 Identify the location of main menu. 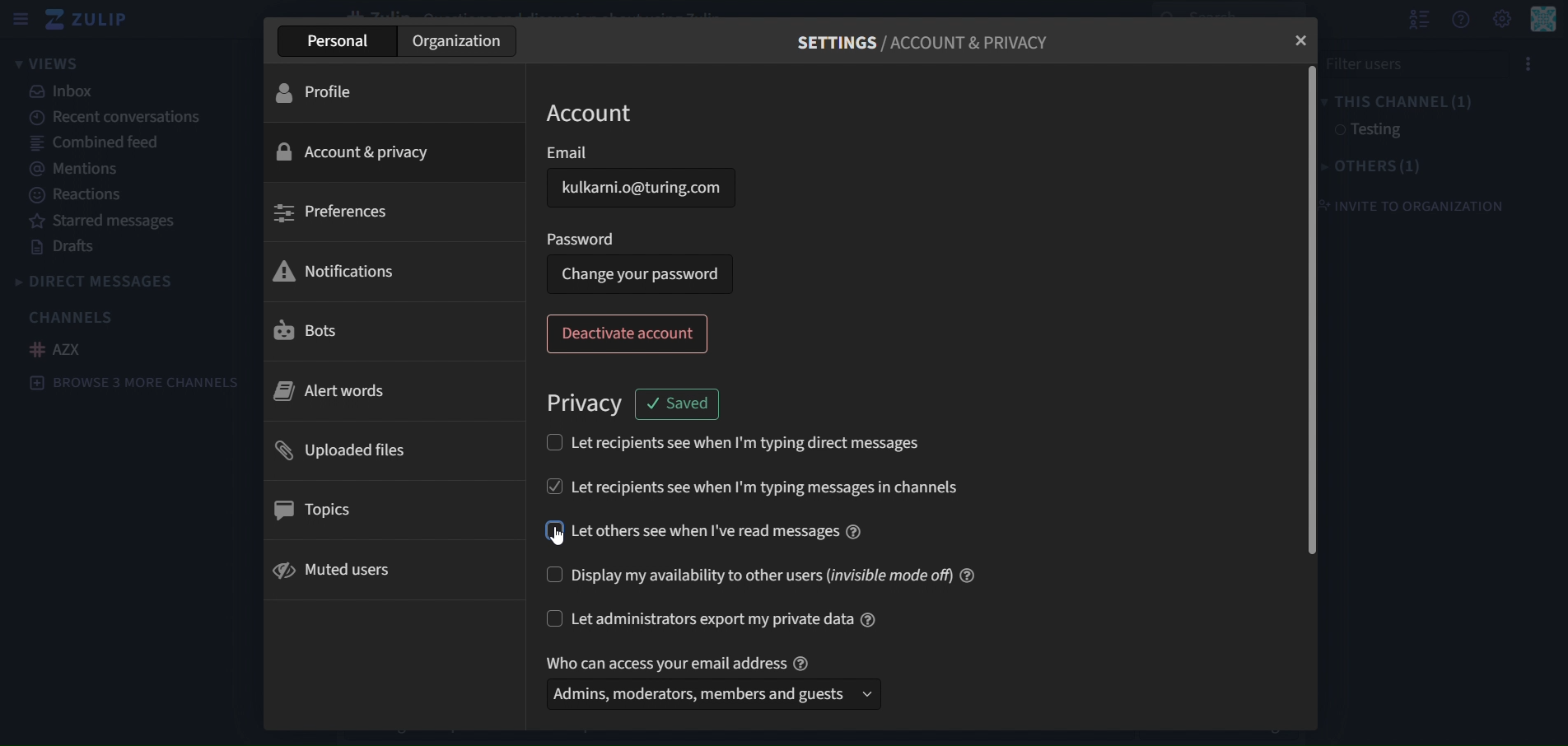
(1501, 19).